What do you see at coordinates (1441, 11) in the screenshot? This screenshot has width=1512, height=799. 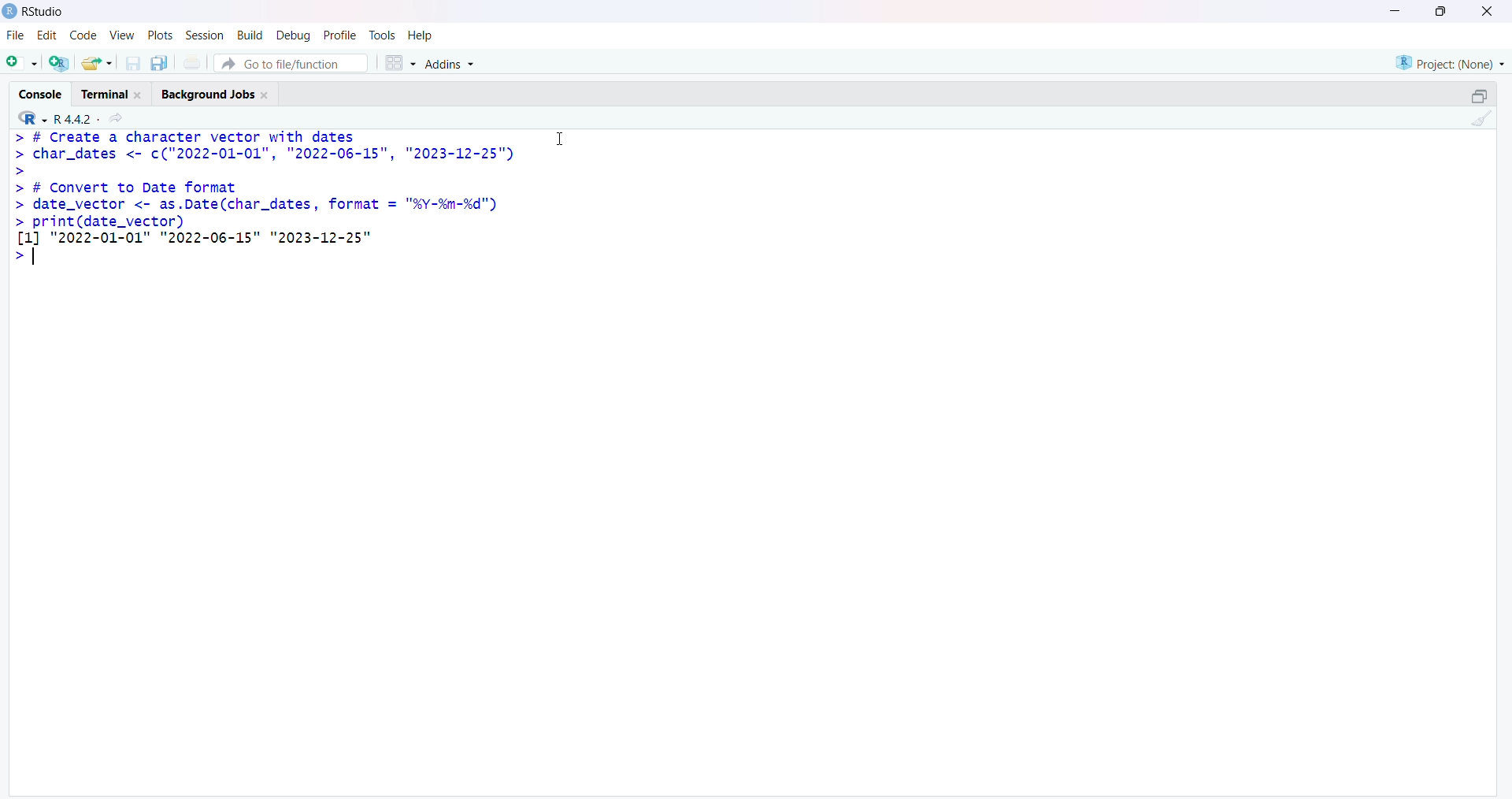 I see `Maximize` at bounding box center [1441, 11].